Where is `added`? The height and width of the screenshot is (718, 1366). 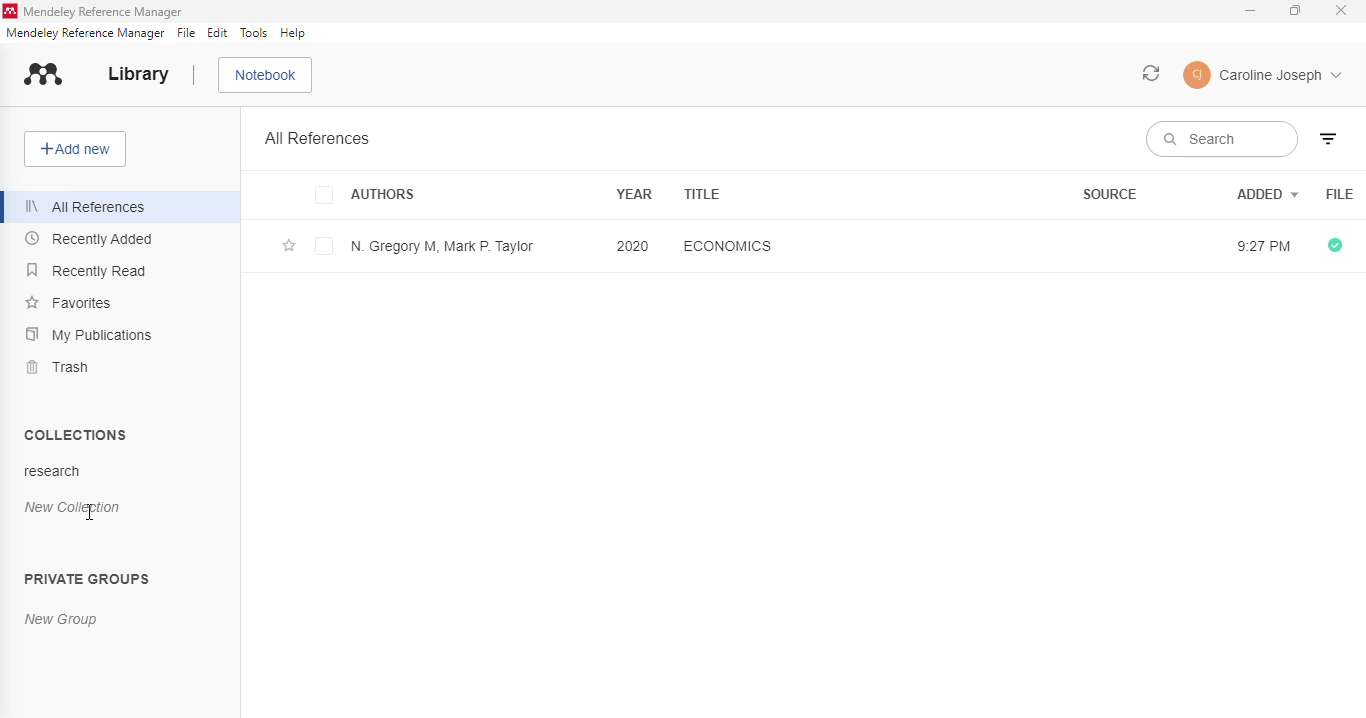 added is located at coordinates (1268, 193).